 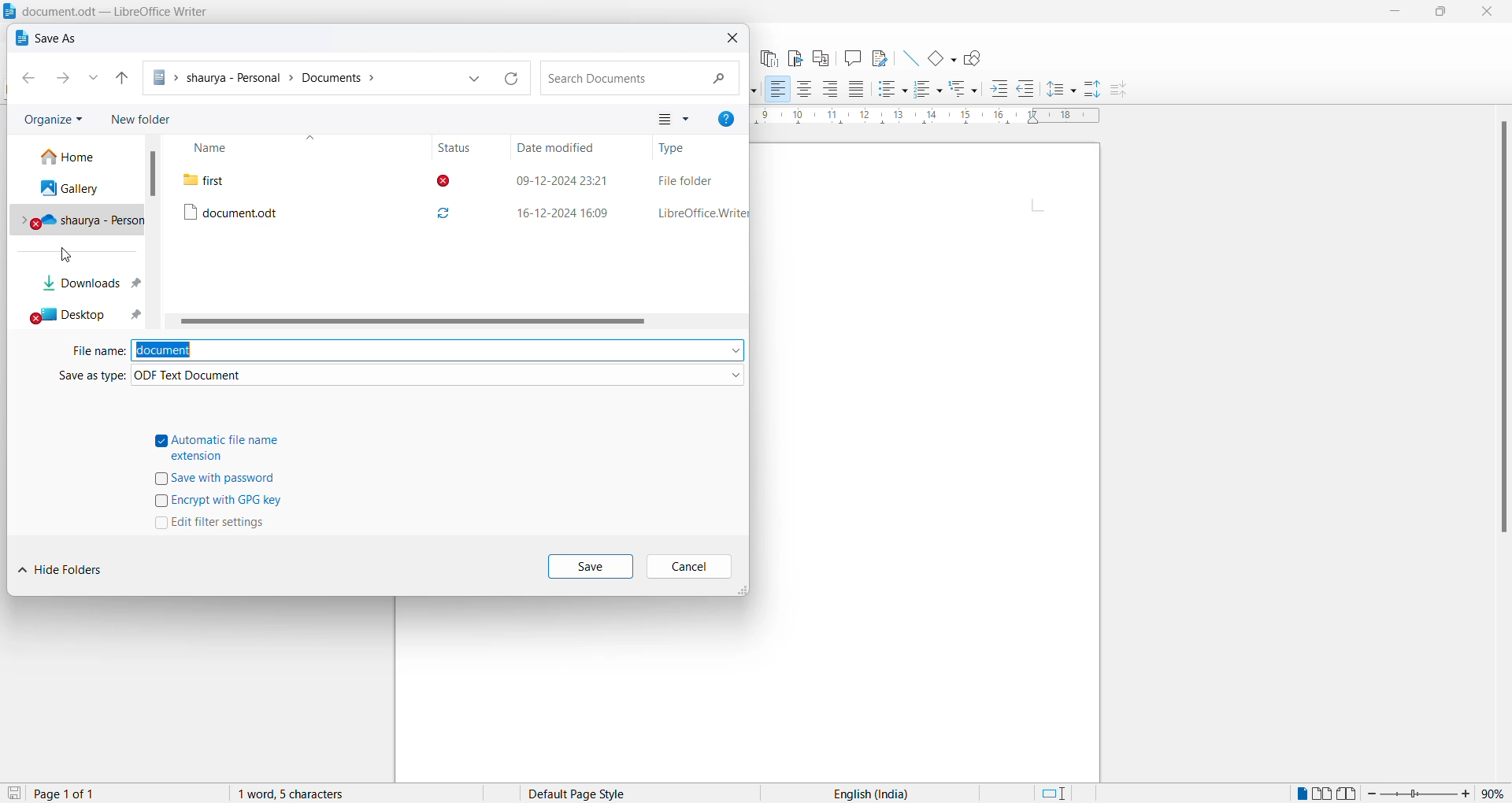 What do you see at coordinates (1492, 13) in the screenshot?
I see `close` at bounding box center [1492, 13].